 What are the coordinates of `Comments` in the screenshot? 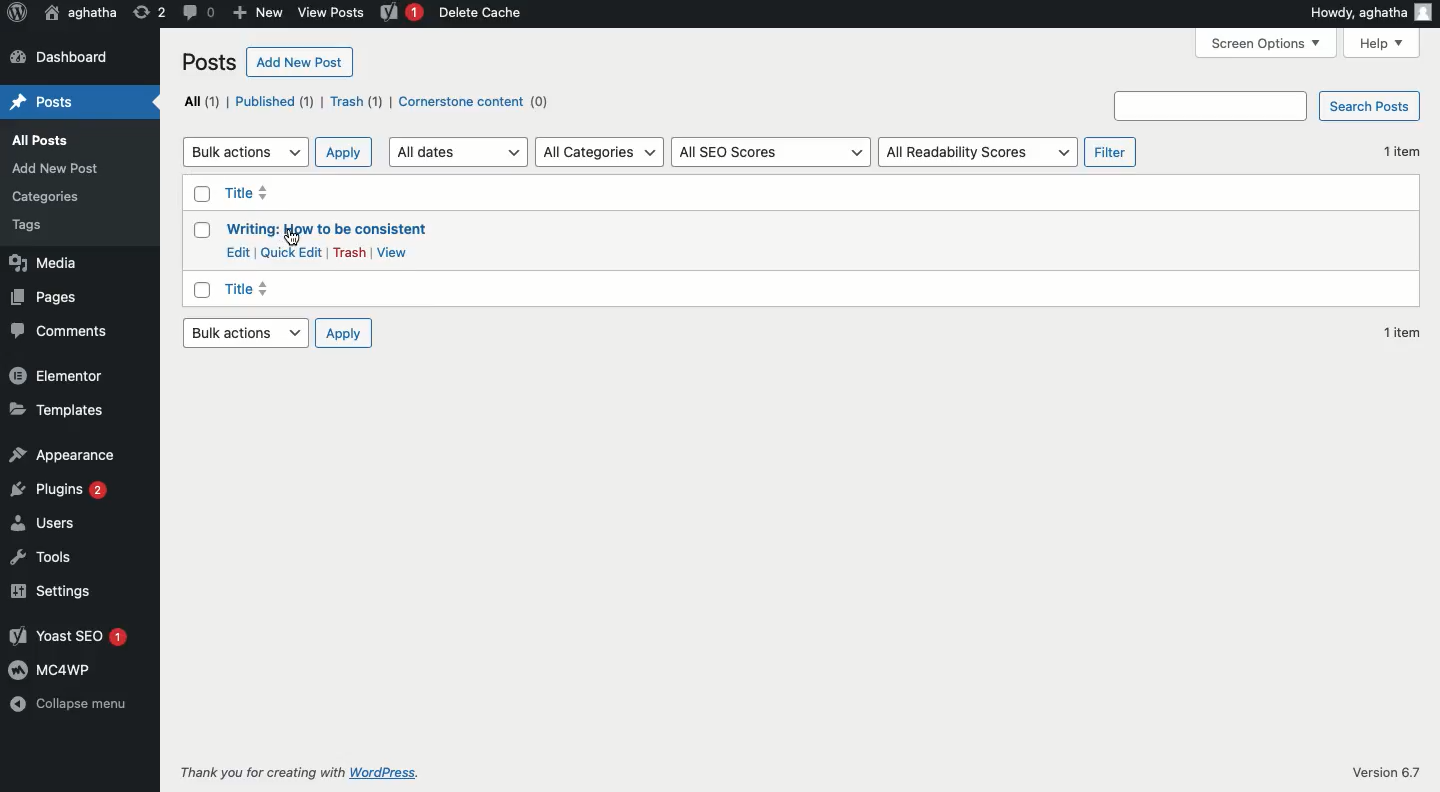 It's located at (61, 332).